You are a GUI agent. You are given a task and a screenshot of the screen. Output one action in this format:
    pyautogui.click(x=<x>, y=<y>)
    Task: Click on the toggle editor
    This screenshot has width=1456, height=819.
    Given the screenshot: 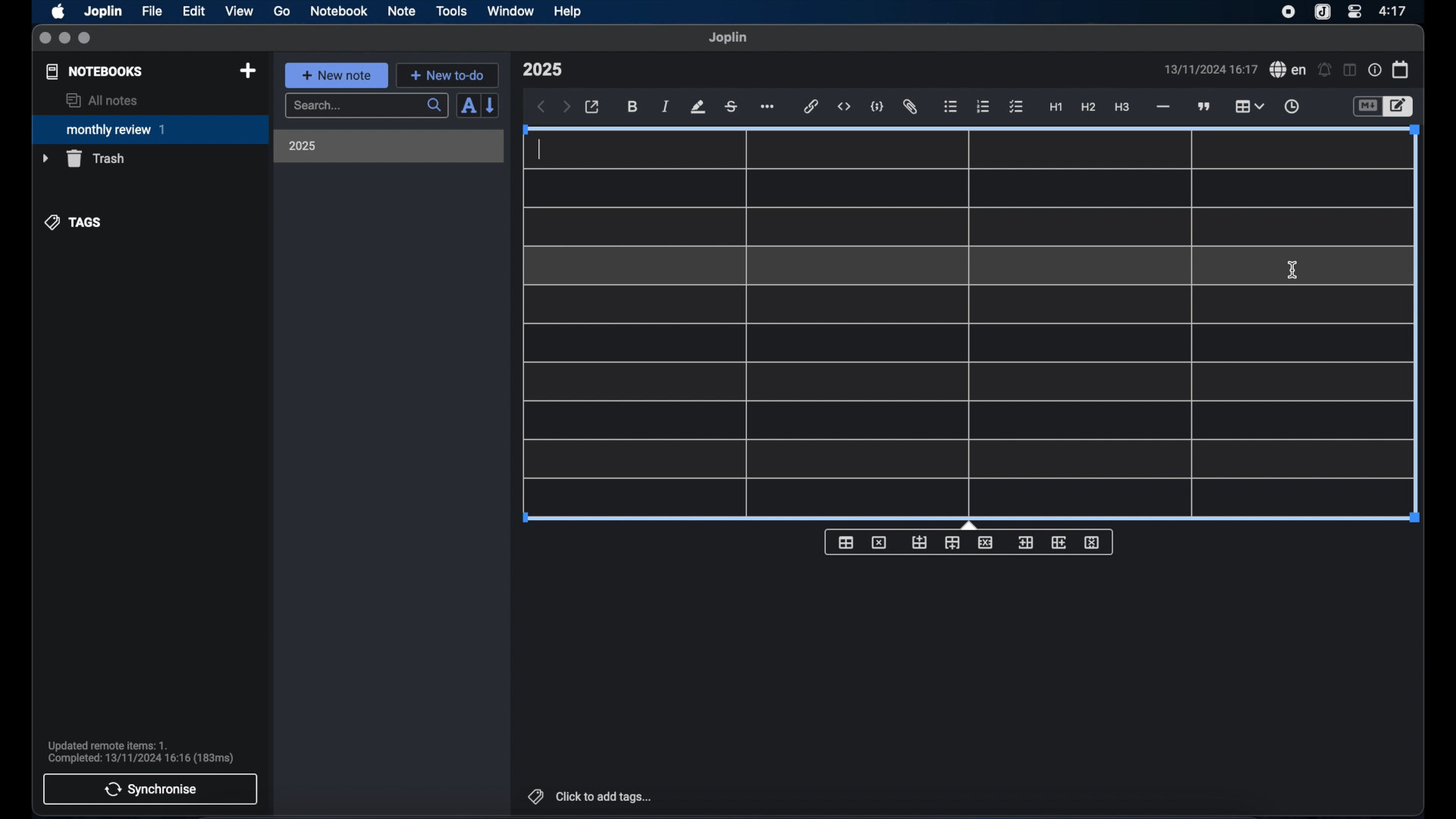 What is the action you would take?
    pyautogui.click(x=1367, y=107)
    